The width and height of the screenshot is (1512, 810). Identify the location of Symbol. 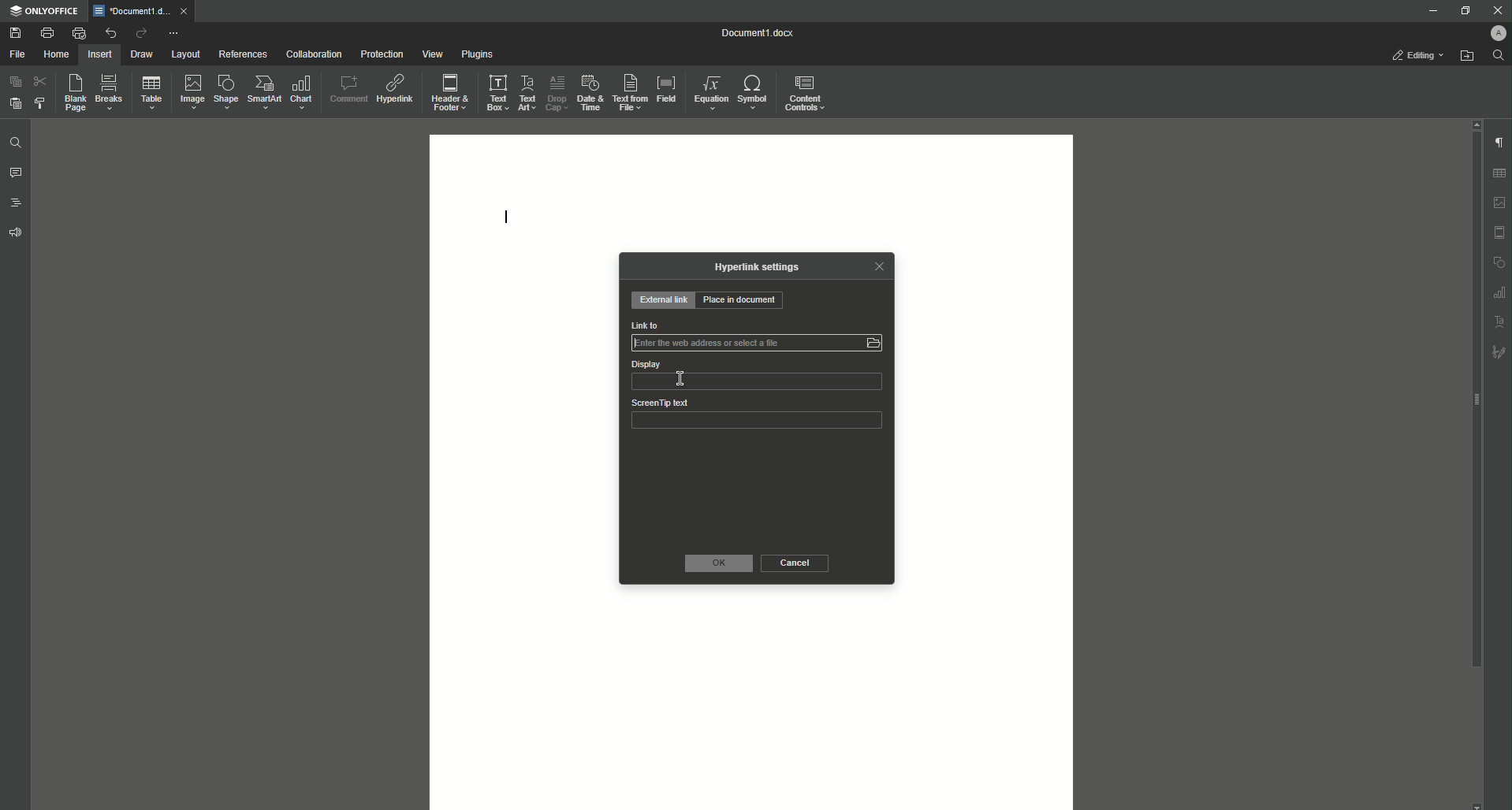
(754, 91).